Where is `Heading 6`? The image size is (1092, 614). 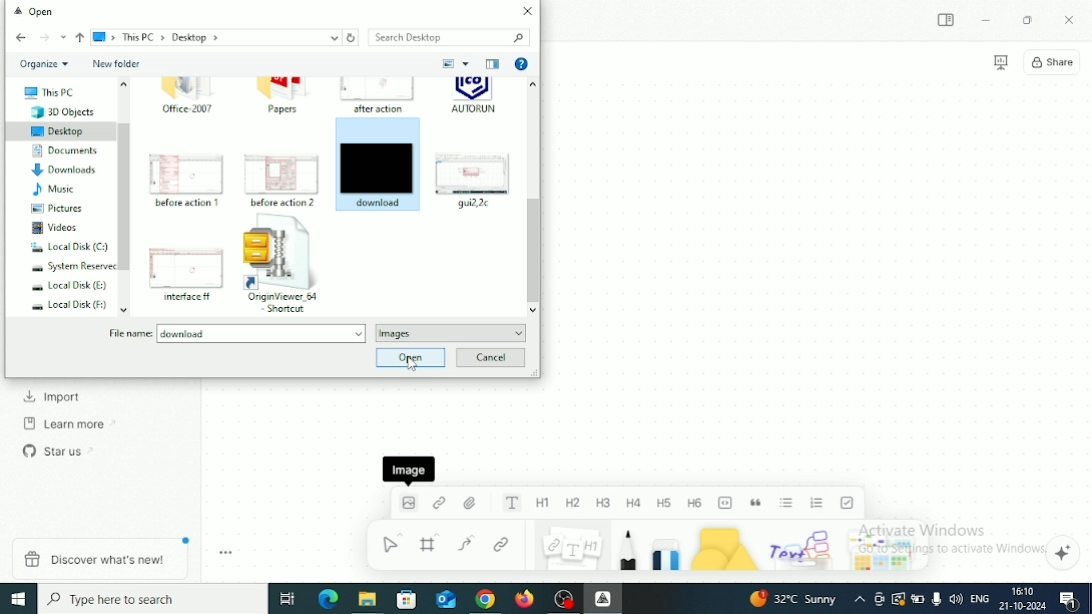
Heading 6 is located at coordinates (696, 502).